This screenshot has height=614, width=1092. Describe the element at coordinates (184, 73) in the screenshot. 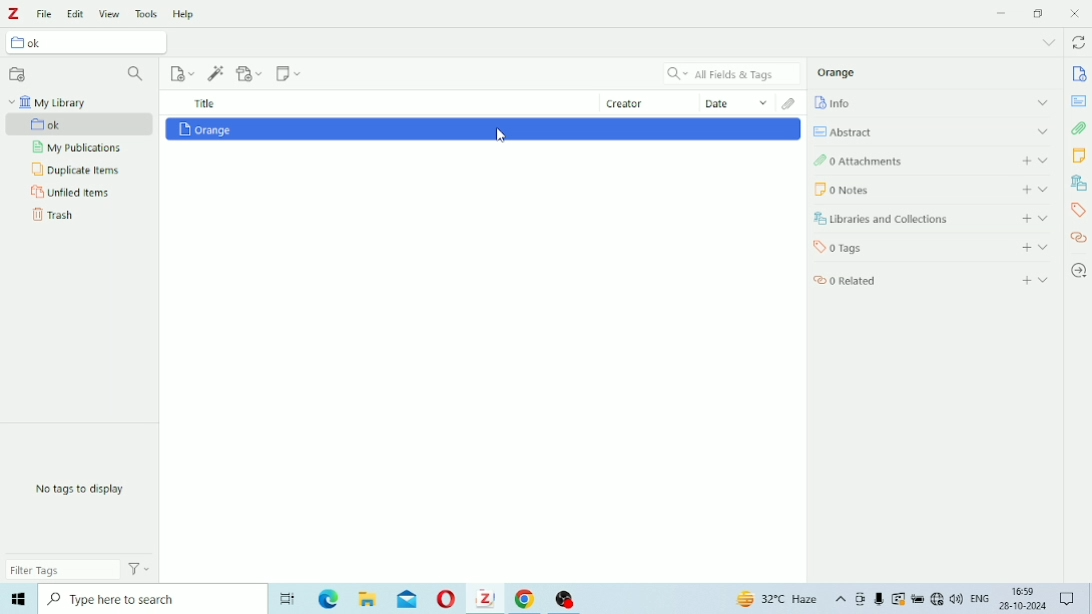

I see `New Item` at that location.